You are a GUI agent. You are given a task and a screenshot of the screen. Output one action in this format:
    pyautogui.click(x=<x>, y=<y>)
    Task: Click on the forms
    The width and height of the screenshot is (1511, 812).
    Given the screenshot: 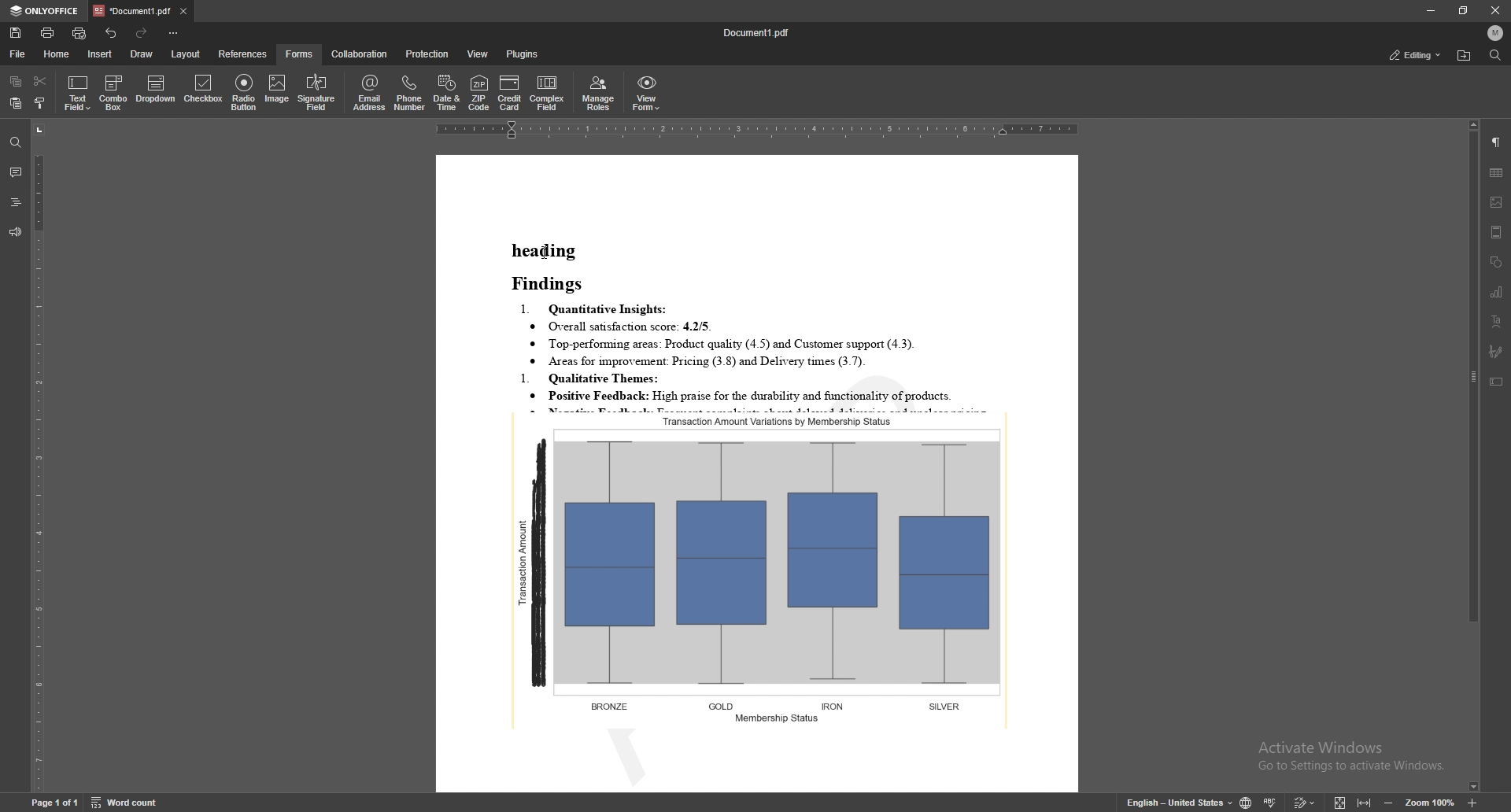 What is the action you would take?
    pyautogui.click(x=300, y=54)
    